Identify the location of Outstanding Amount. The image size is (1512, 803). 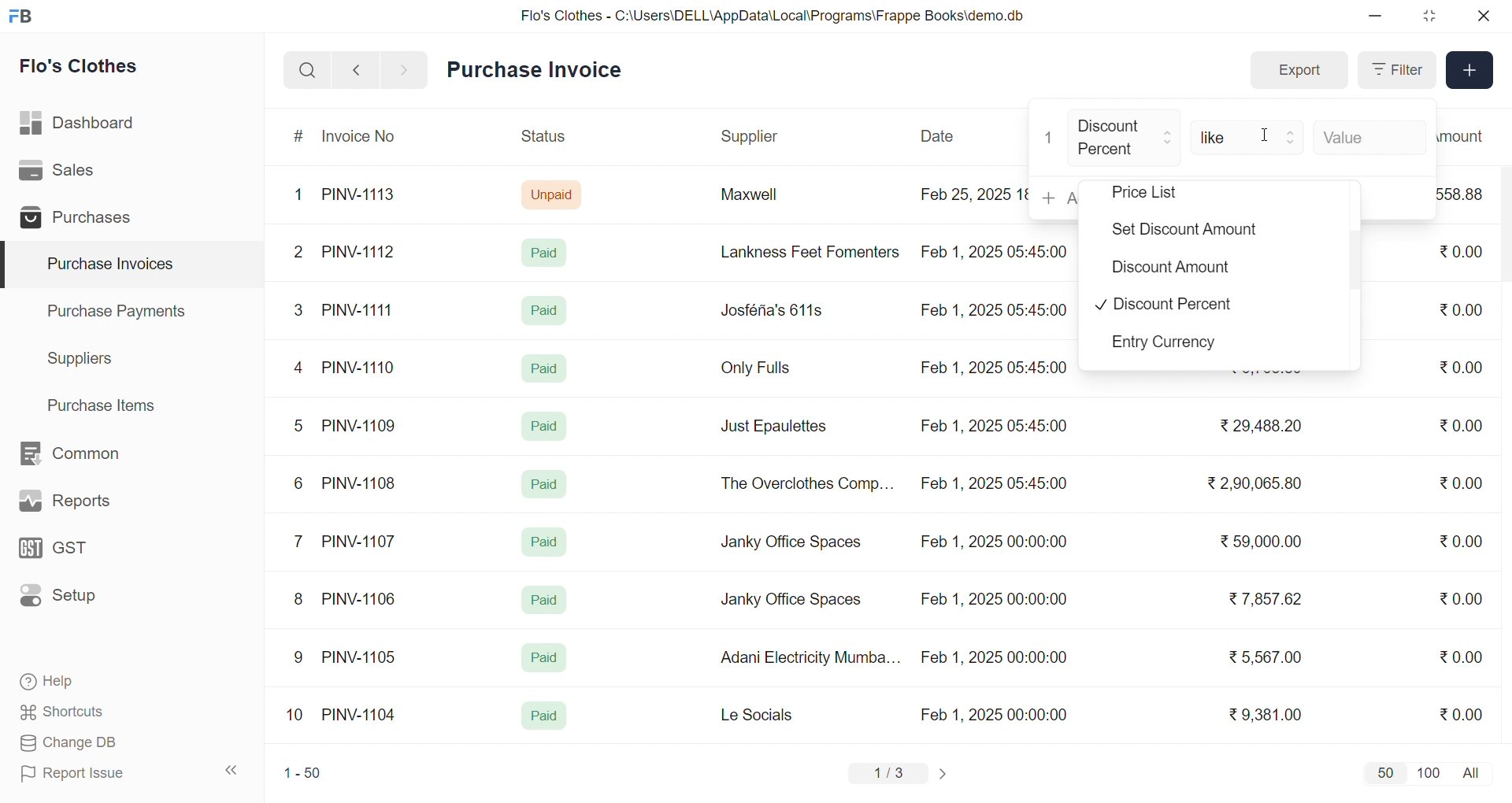
(1469, 135).